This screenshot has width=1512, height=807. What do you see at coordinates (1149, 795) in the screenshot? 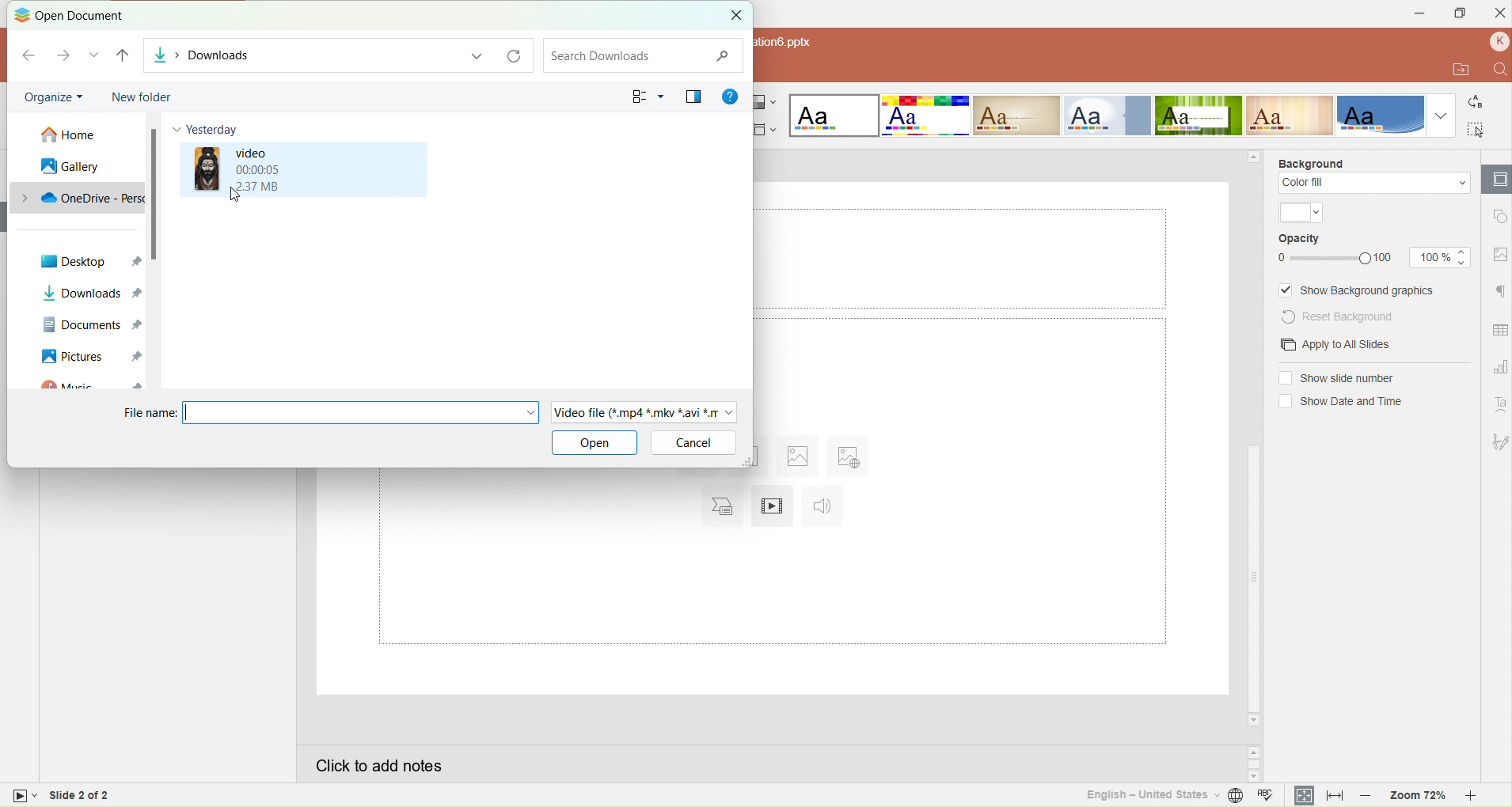
I see `Set text language` at bounding box center [1149, 795].